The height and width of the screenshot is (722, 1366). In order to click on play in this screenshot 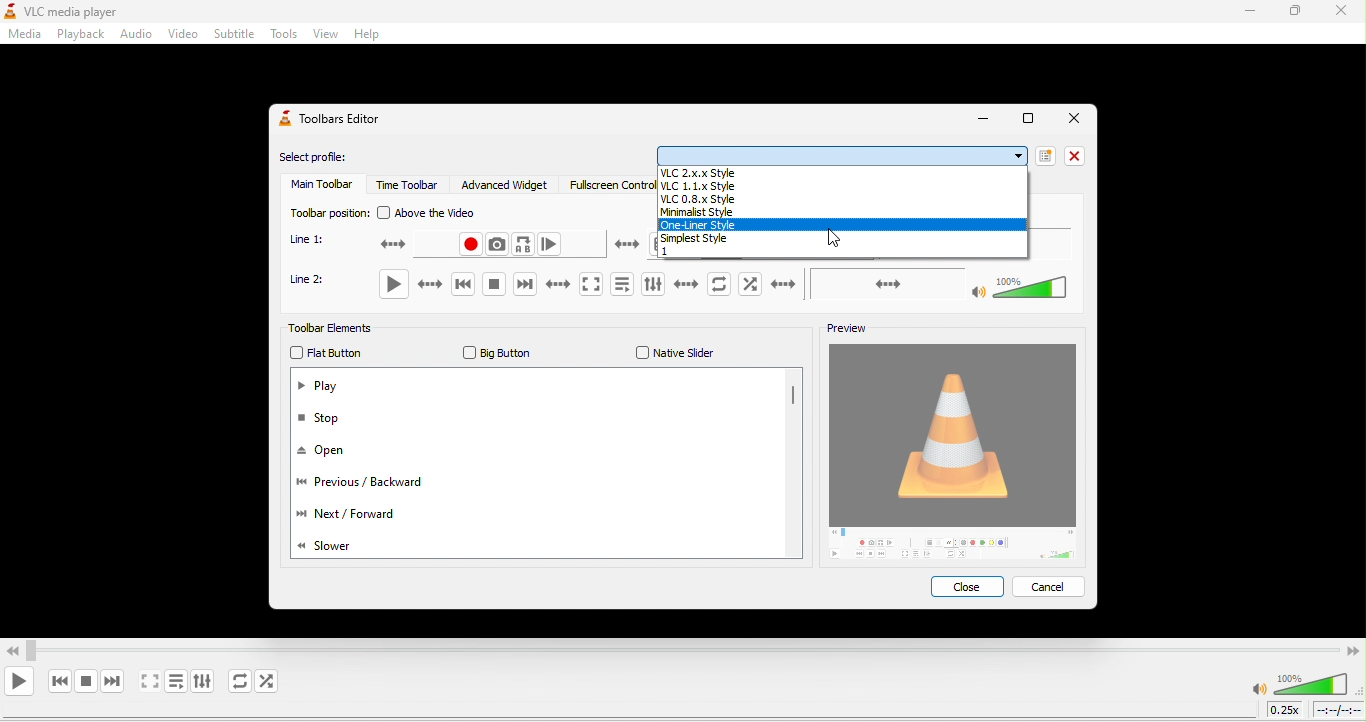, I will do `click(413, 282)`.